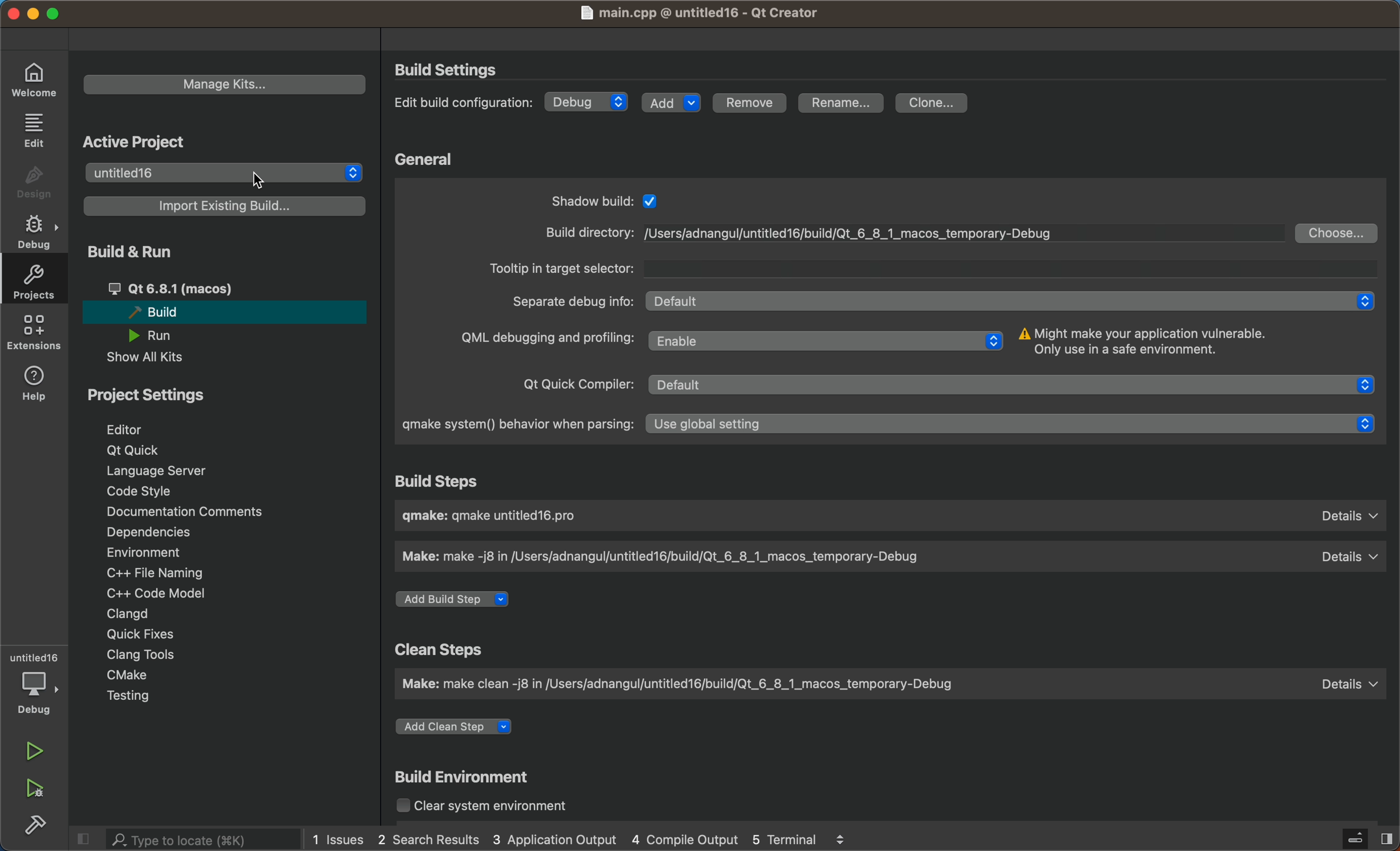  I want to click on debugger, so click(37, 684).